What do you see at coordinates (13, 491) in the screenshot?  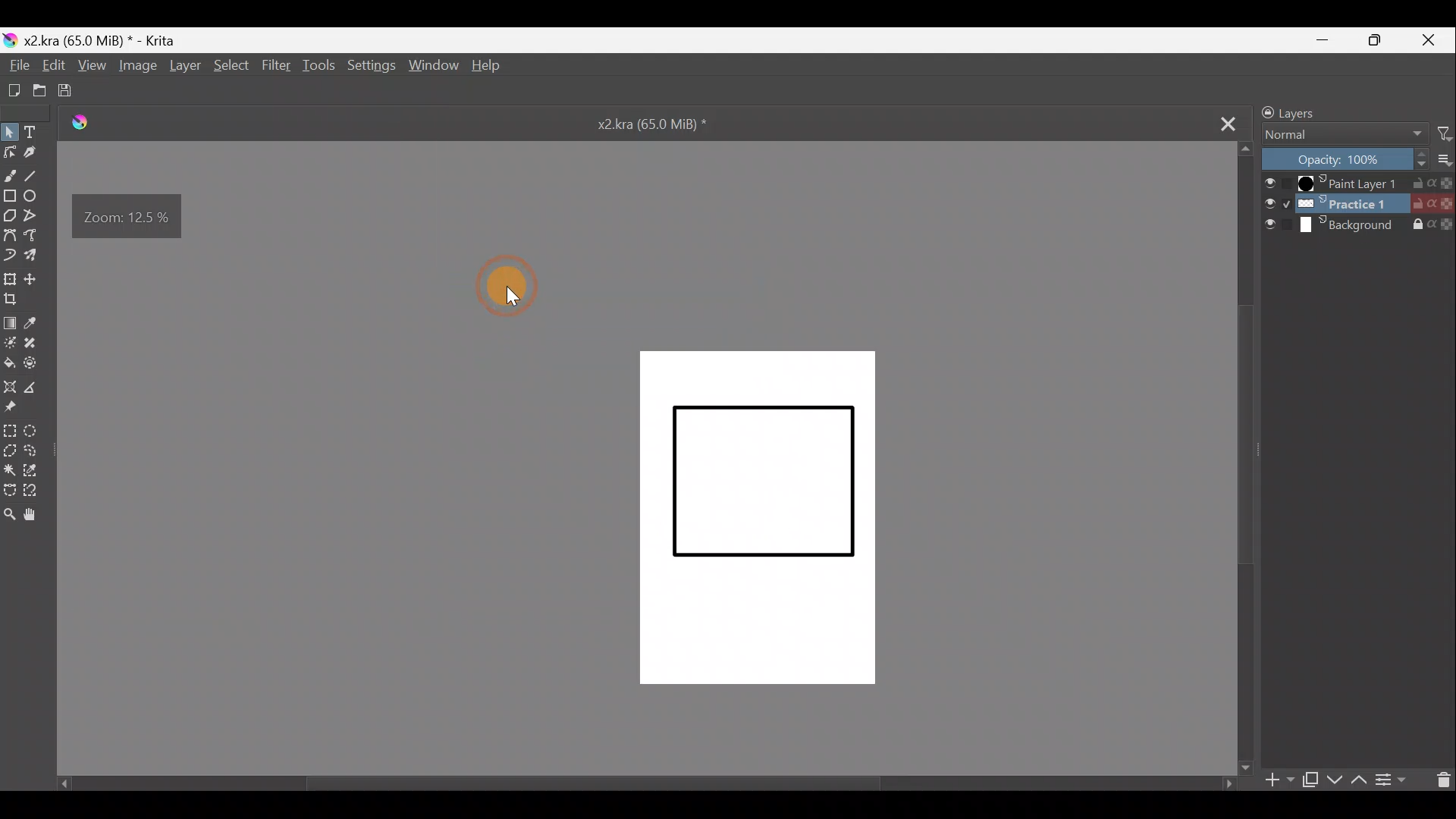 I see `Bezier curve selection tool` at bounding box center [13, 491].